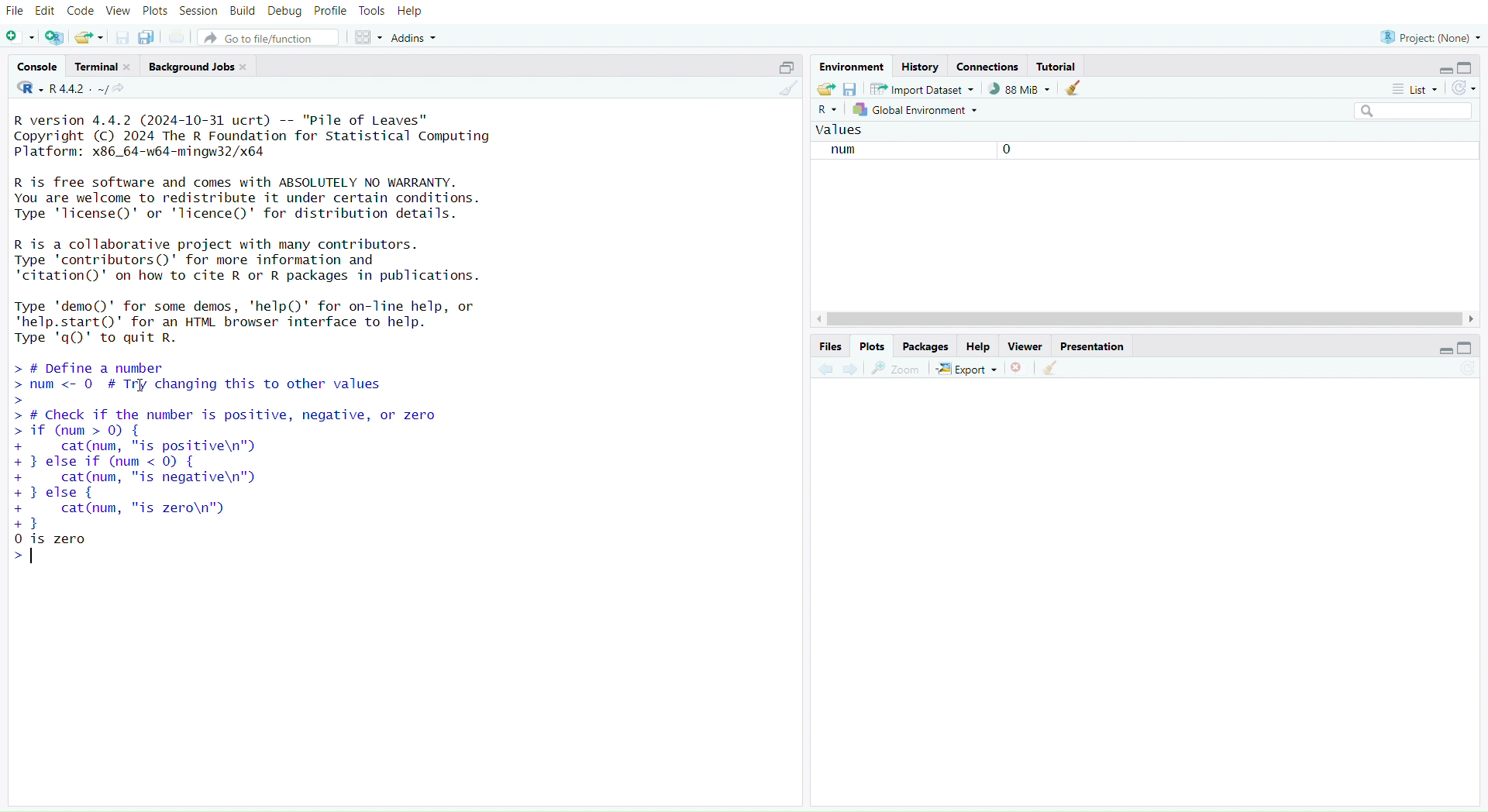  What do you see at coordinates (1094, 347) in the screenshot?
I see `presentation` at bounding box center [1094, 347].